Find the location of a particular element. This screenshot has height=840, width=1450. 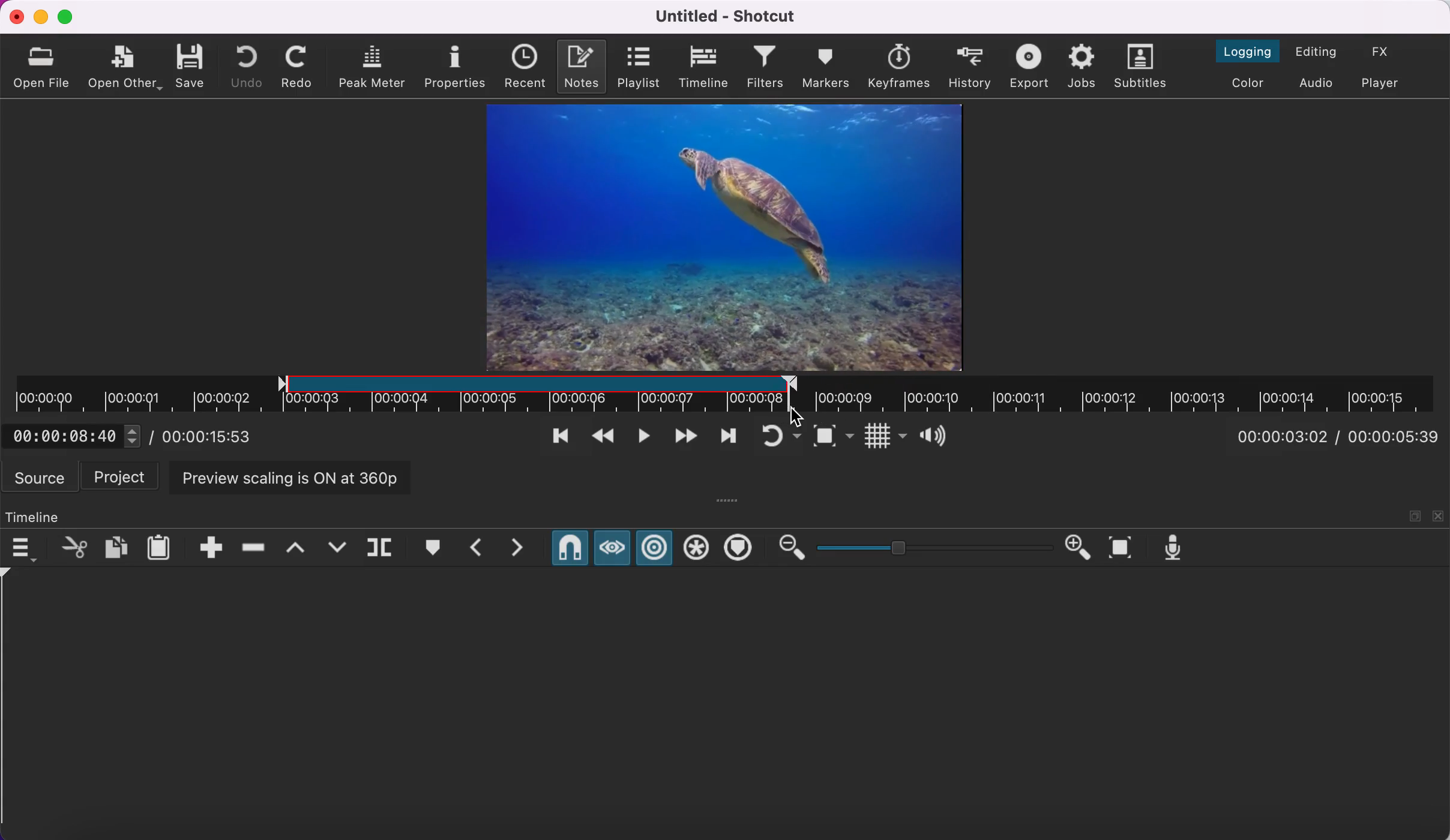

 is located at coordinates (831, 436).